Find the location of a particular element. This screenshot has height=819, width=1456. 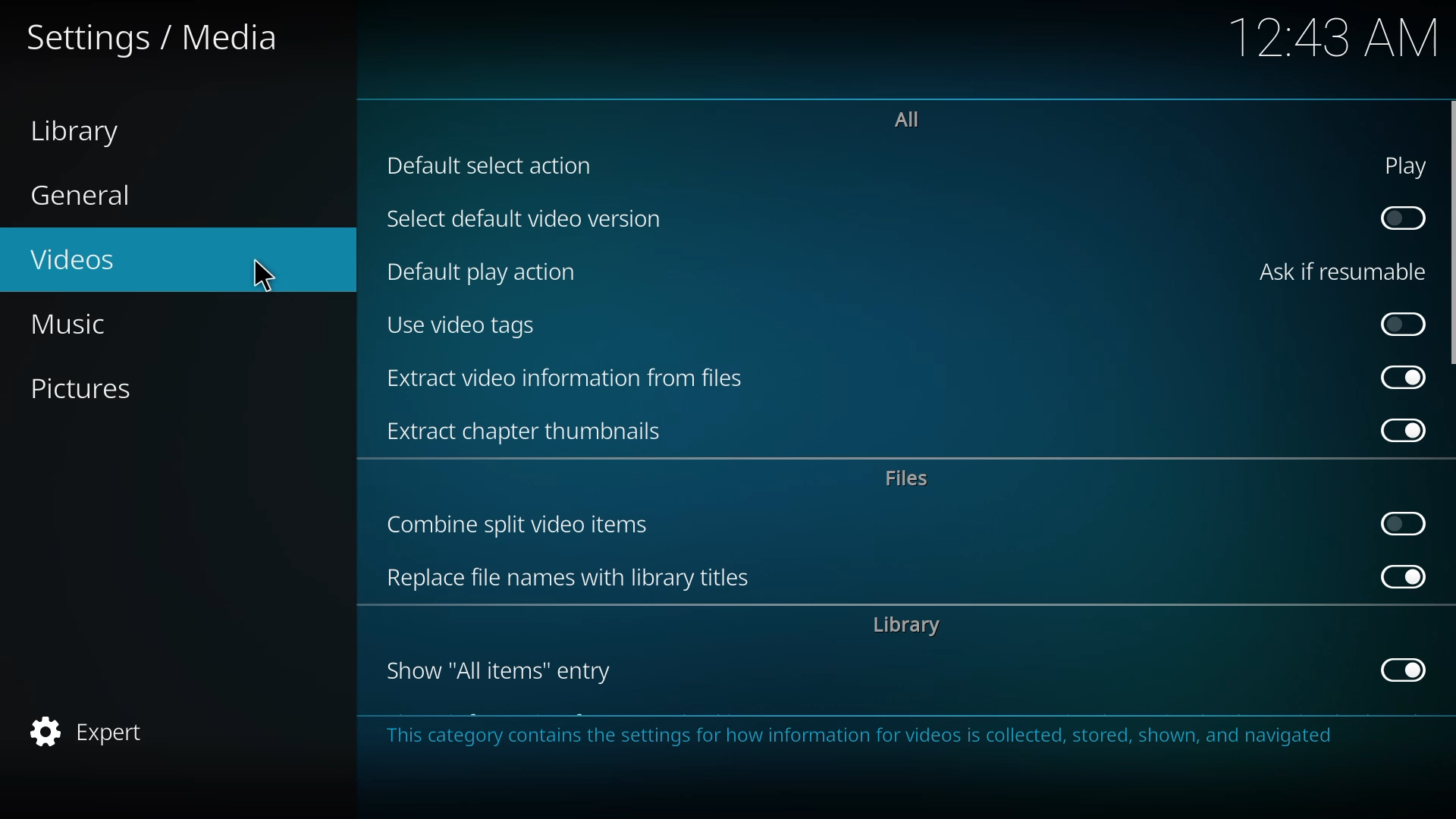

default select action is located at coordinates (496, 165).